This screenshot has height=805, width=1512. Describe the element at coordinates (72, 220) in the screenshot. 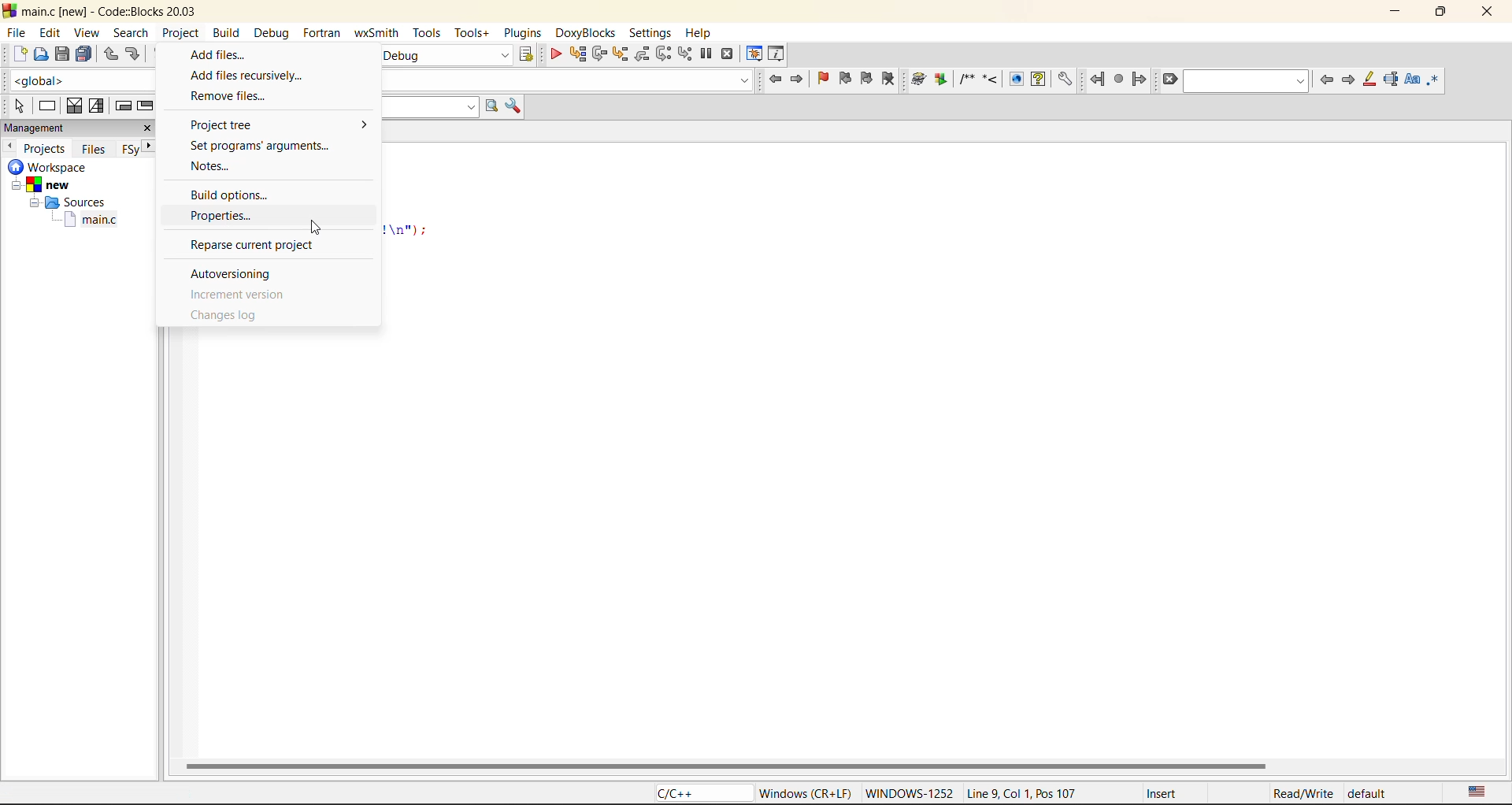

I see `main.c` at that location.